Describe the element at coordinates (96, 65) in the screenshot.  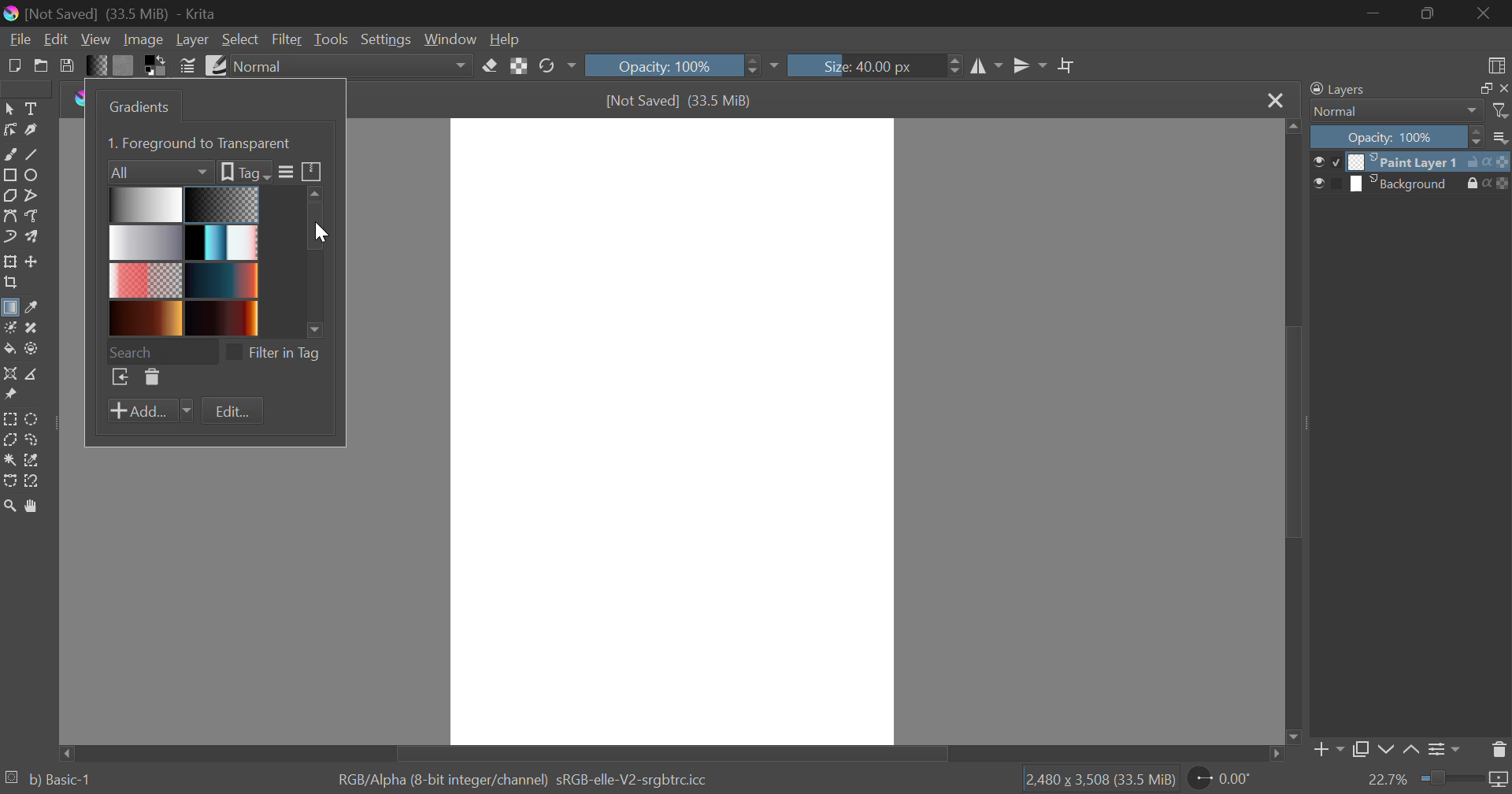
I see `Gradient` at that location.